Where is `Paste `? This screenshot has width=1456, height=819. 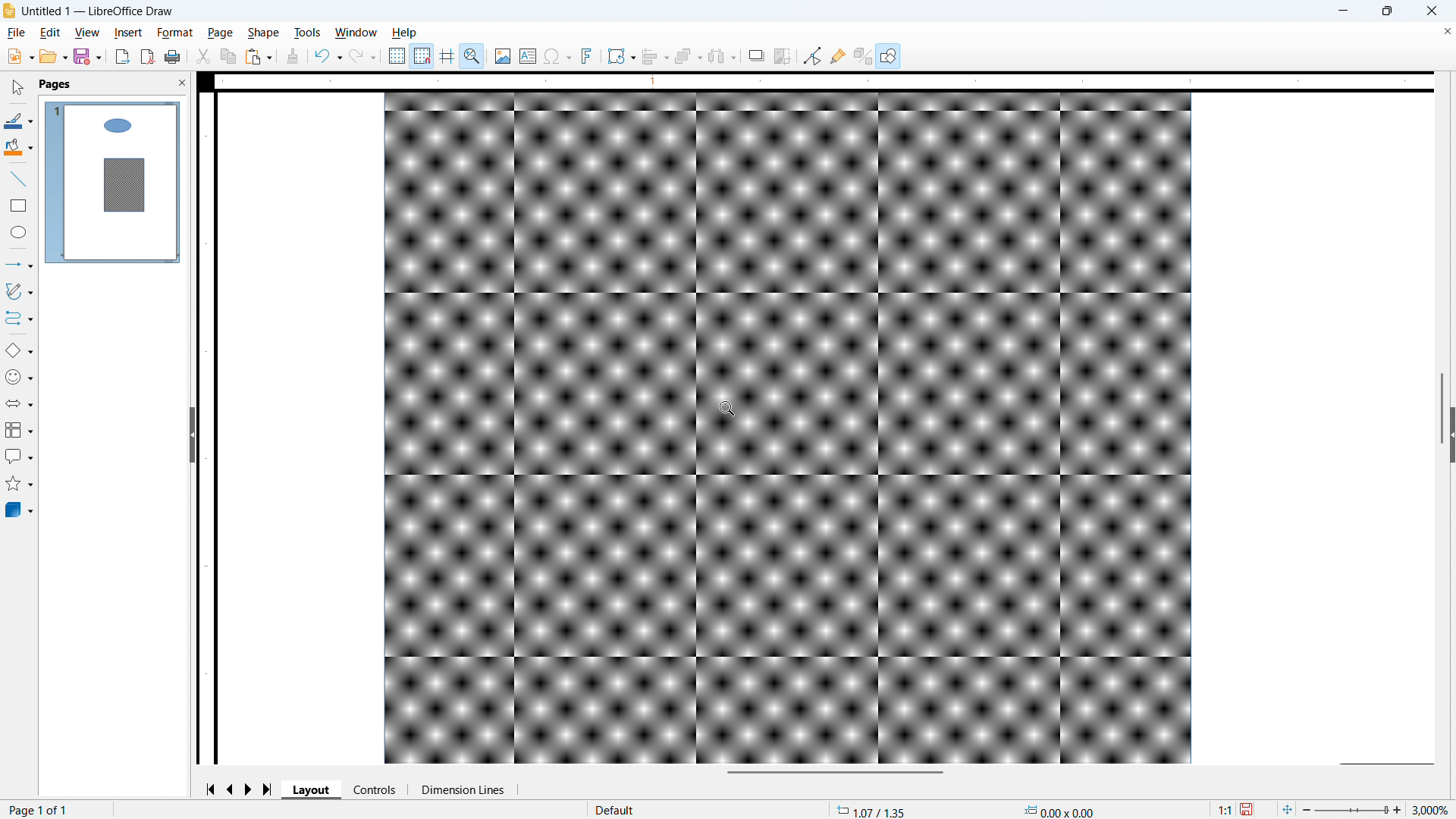 Paste  is located at coordinates (259, 56).